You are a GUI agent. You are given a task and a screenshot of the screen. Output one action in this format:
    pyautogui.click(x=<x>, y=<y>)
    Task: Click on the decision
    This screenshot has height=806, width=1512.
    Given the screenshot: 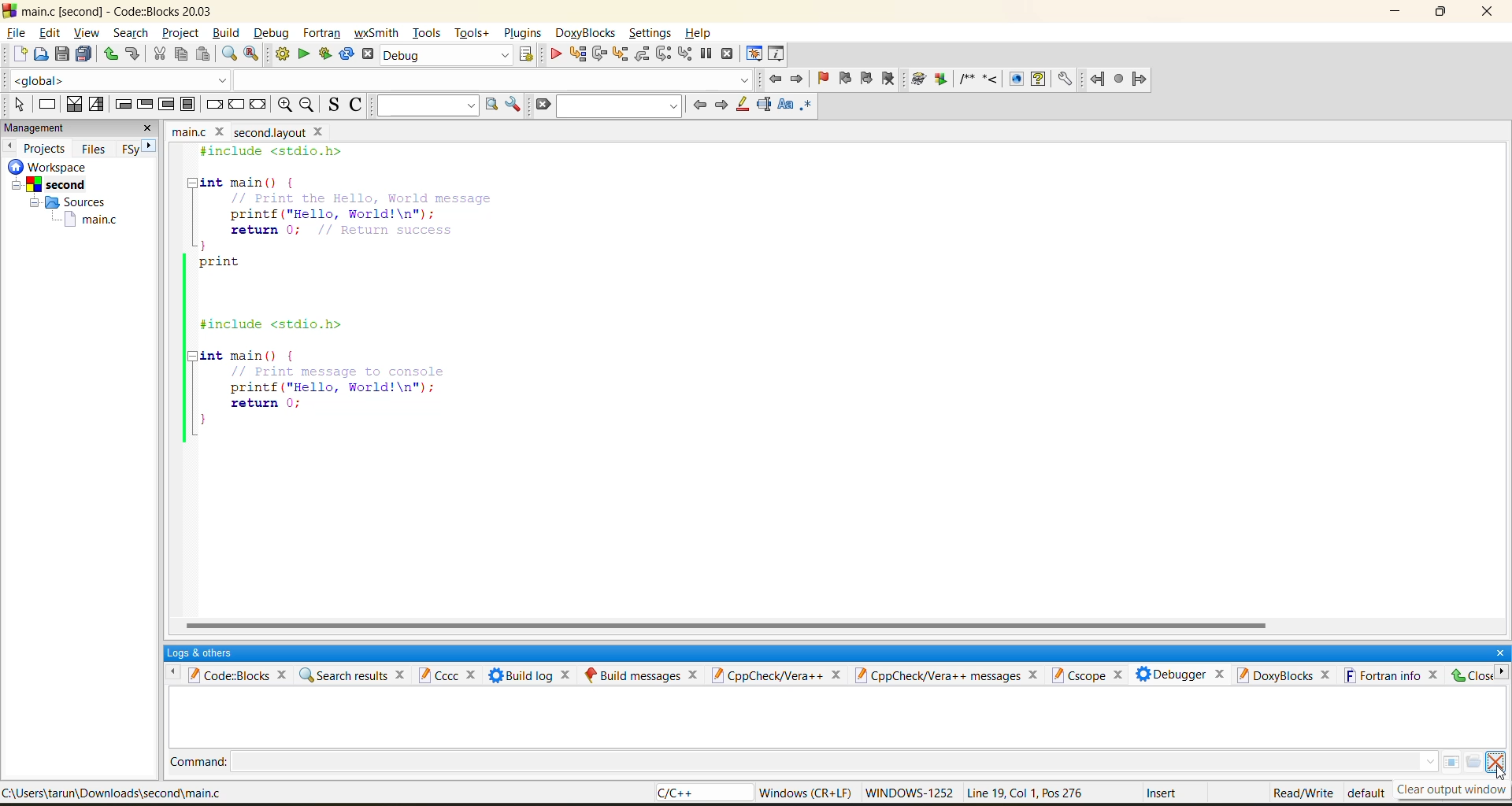 What is the action you would take?
    pyautogui.click(x=72, y=104)
    